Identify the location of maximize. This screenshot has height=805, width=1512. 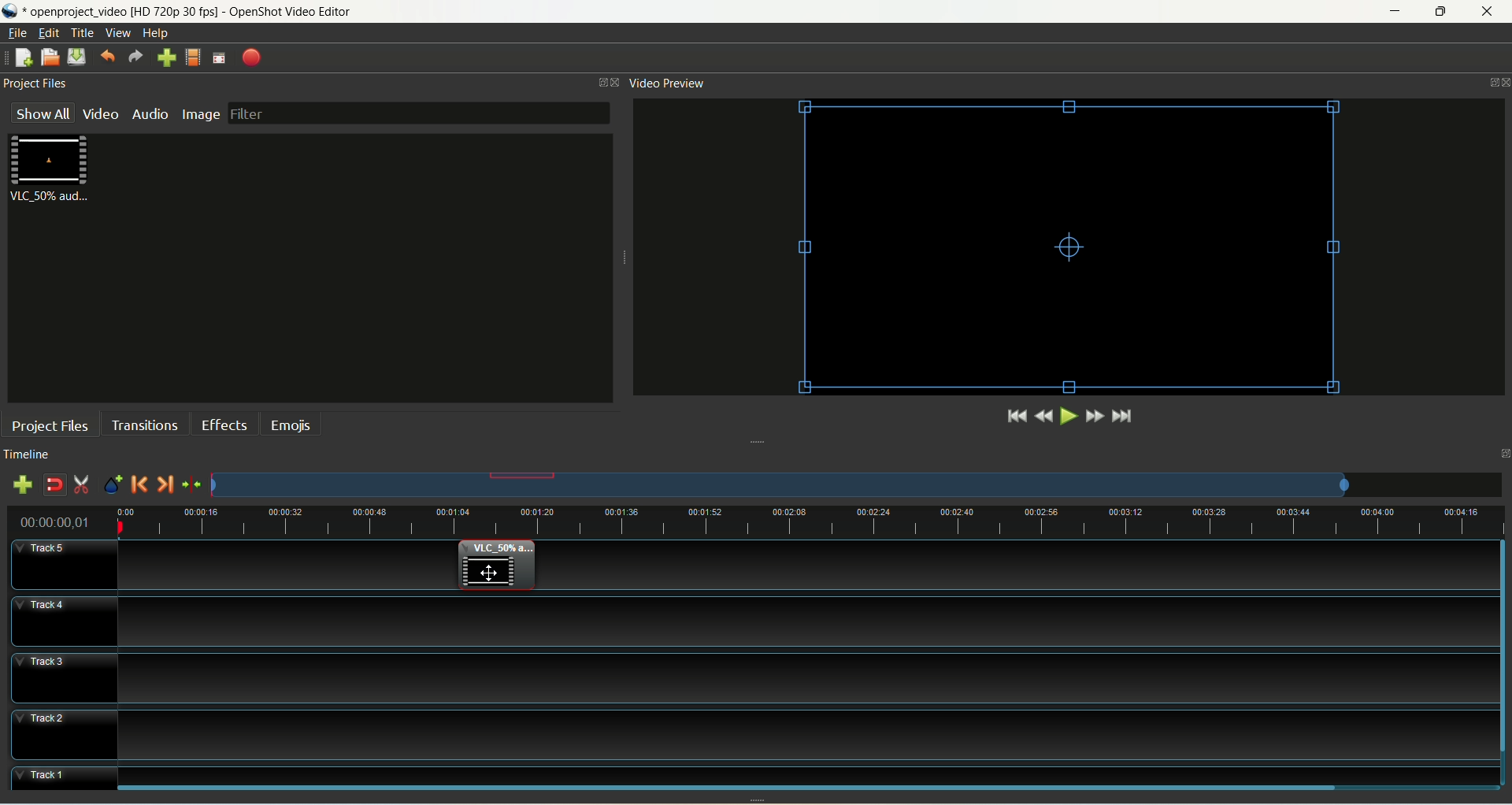
(1440, 12).